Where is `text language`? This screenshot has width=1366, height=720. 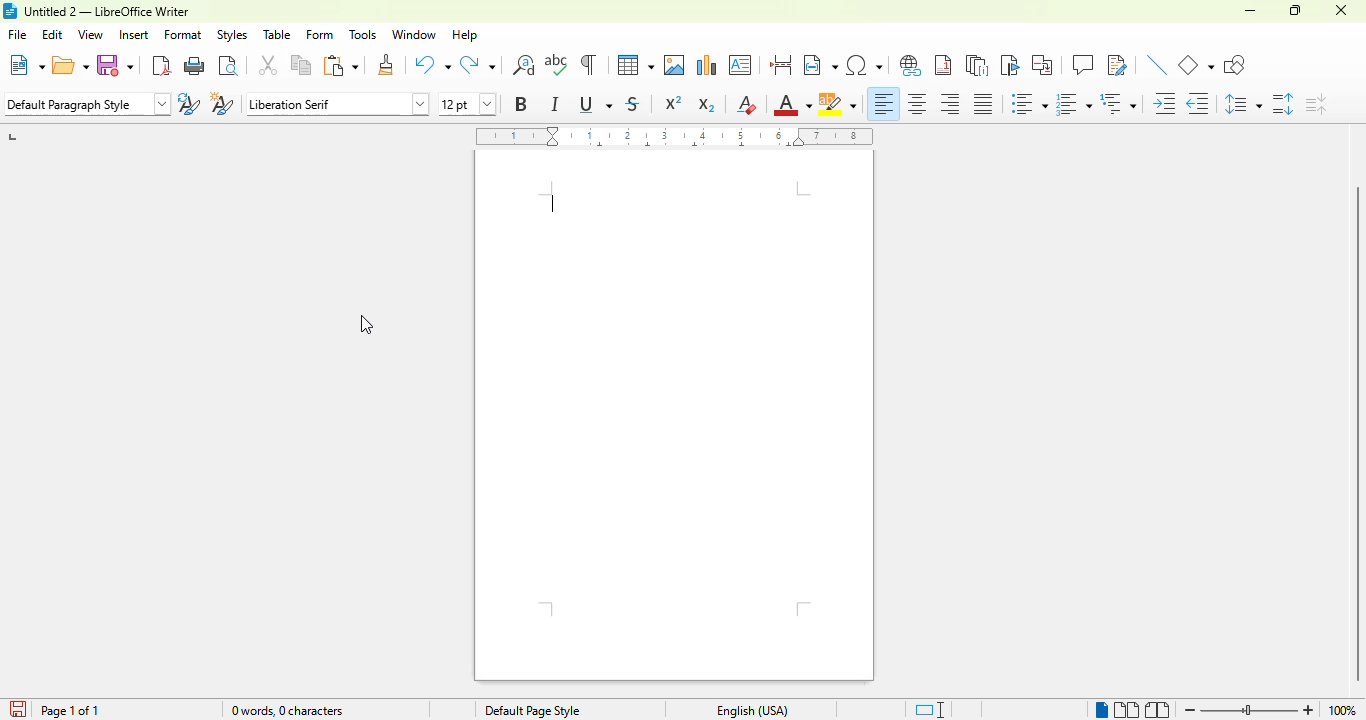
text language is located at coordinates (753, 710).